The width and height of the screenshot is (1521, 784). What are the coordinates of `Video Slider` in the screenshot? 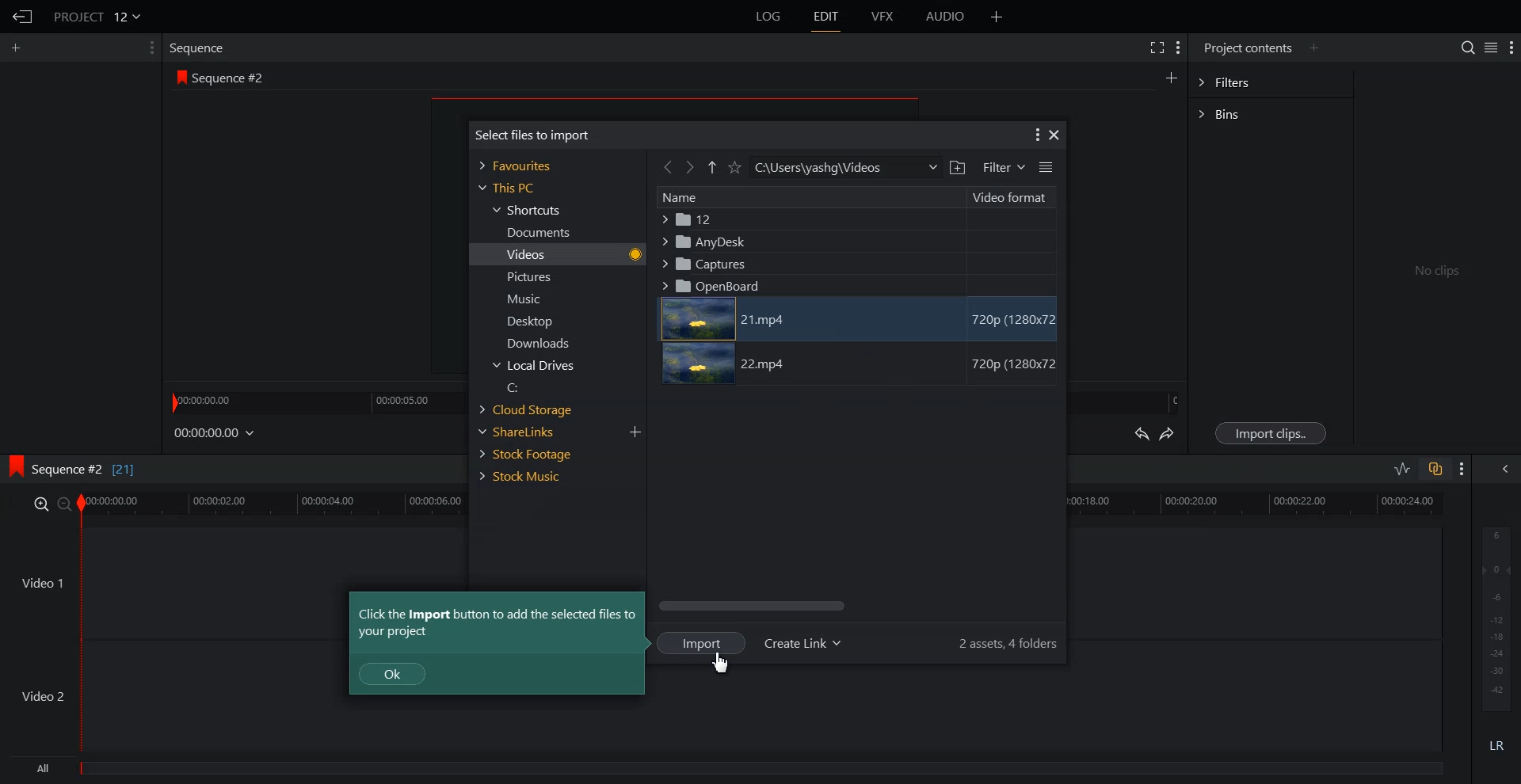 It's located at (770, 507).